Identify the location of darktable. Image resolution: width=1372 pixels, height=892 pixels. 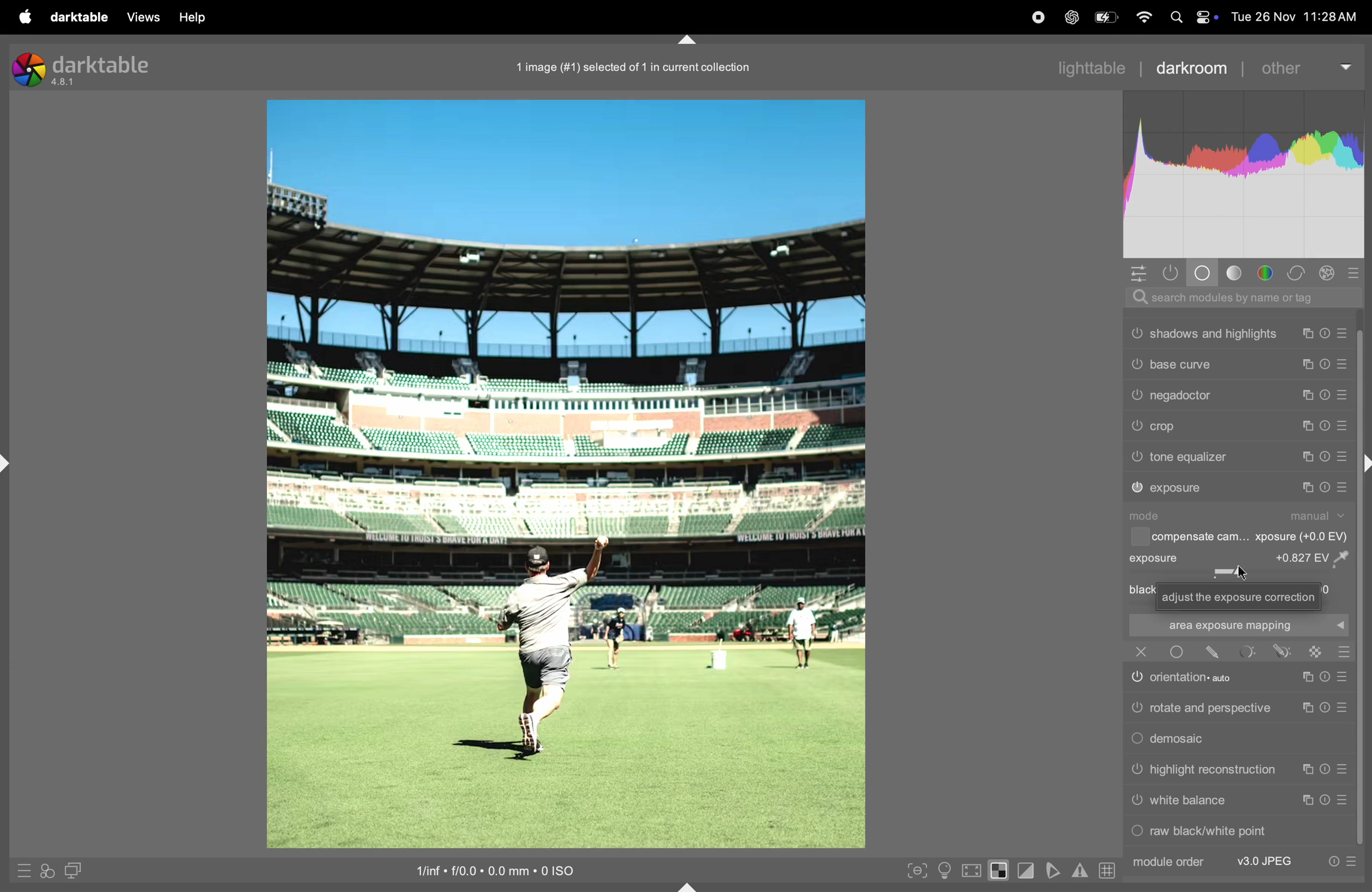
(103, 64).